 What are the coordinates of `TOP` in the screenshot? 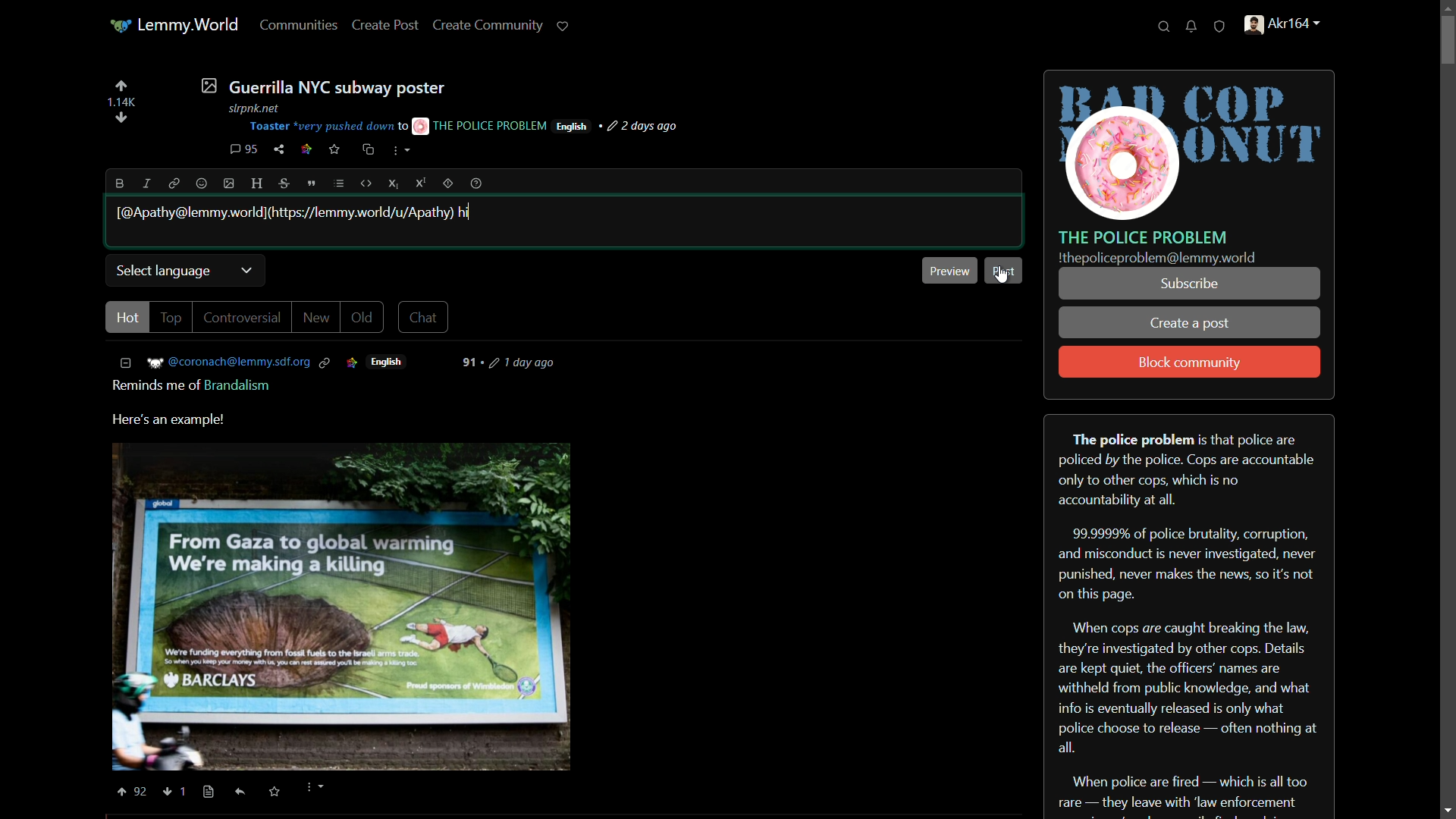 It's located at (173, 318).